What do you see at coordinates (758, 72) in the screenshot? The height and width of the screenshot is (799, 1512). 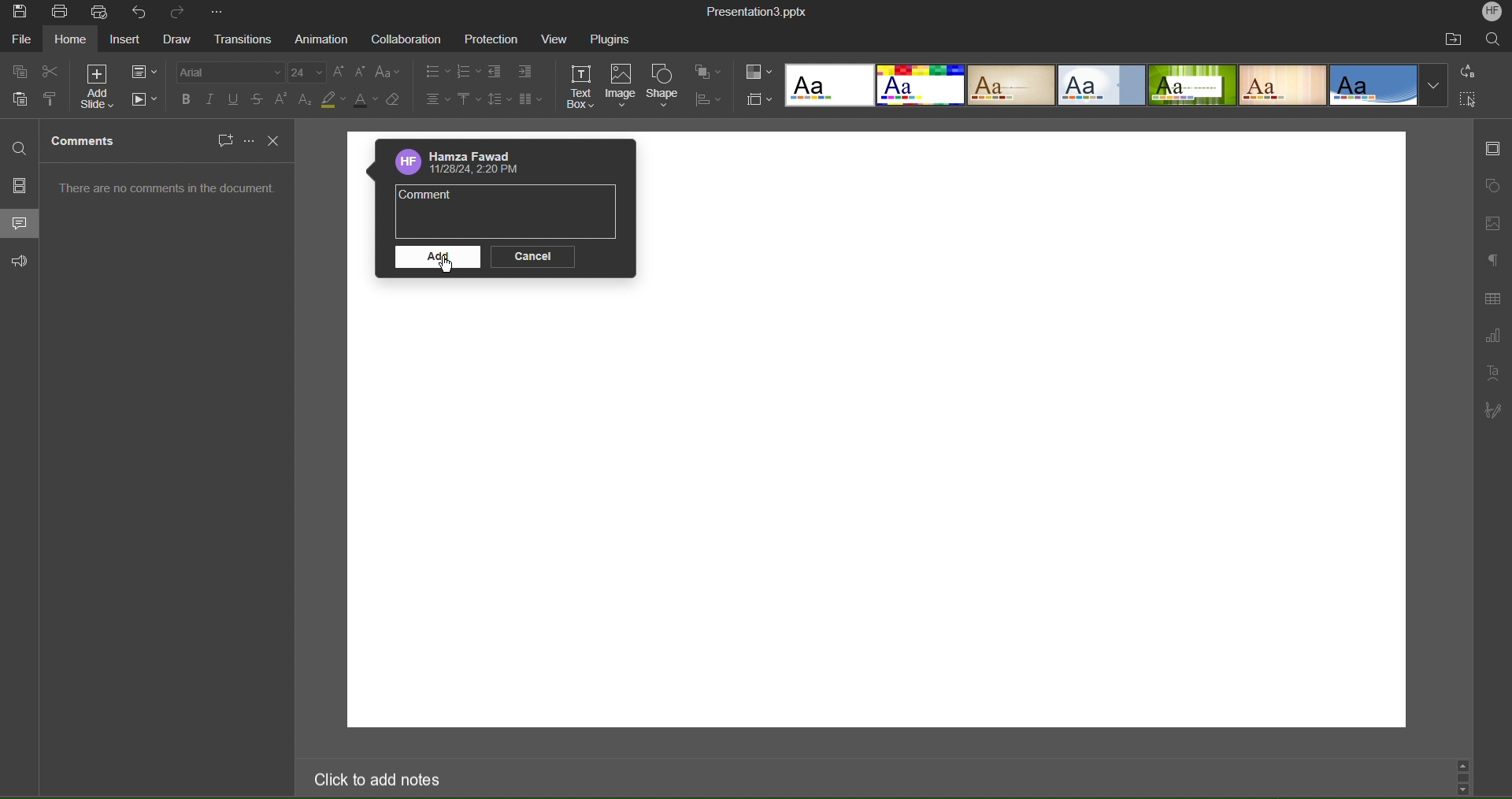 I see `Colors` at bounding box center [758, 72].